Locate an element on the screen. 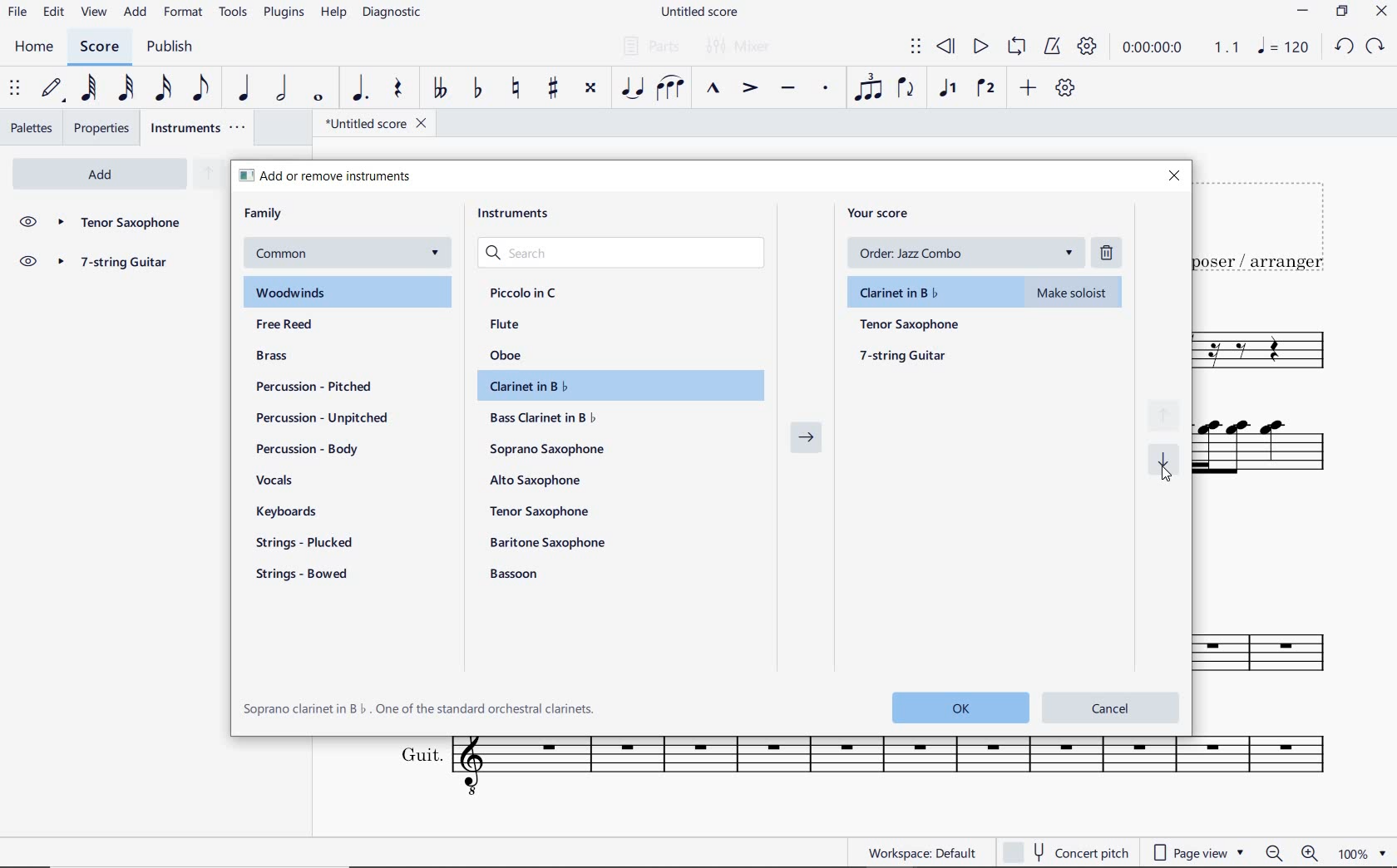 This screenshot has width=1397, height=868. PALETTES is located at coordinates (31, 126).